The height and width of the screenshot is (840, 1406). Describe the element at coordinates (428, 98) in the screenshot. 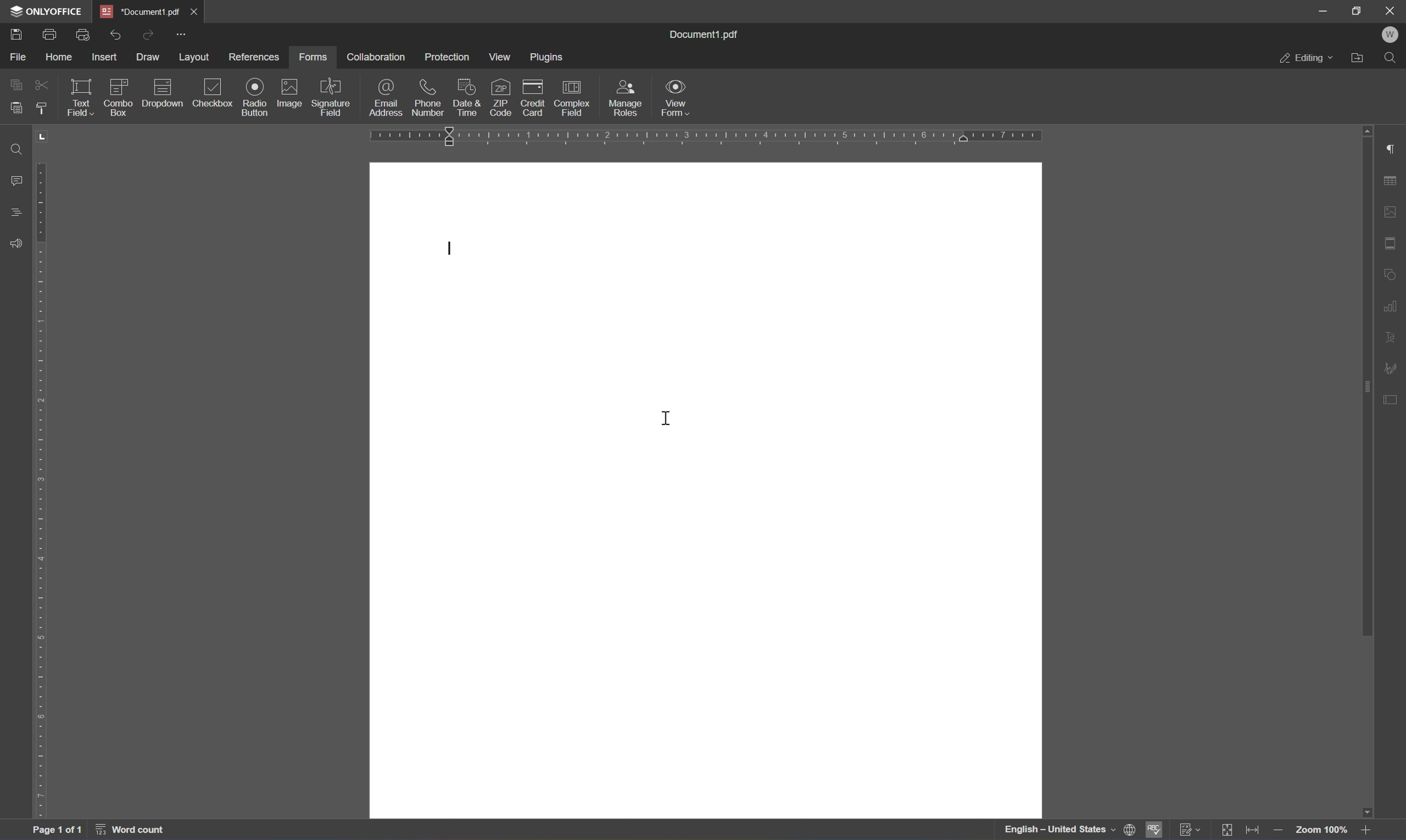

I see `phone number` at that location.